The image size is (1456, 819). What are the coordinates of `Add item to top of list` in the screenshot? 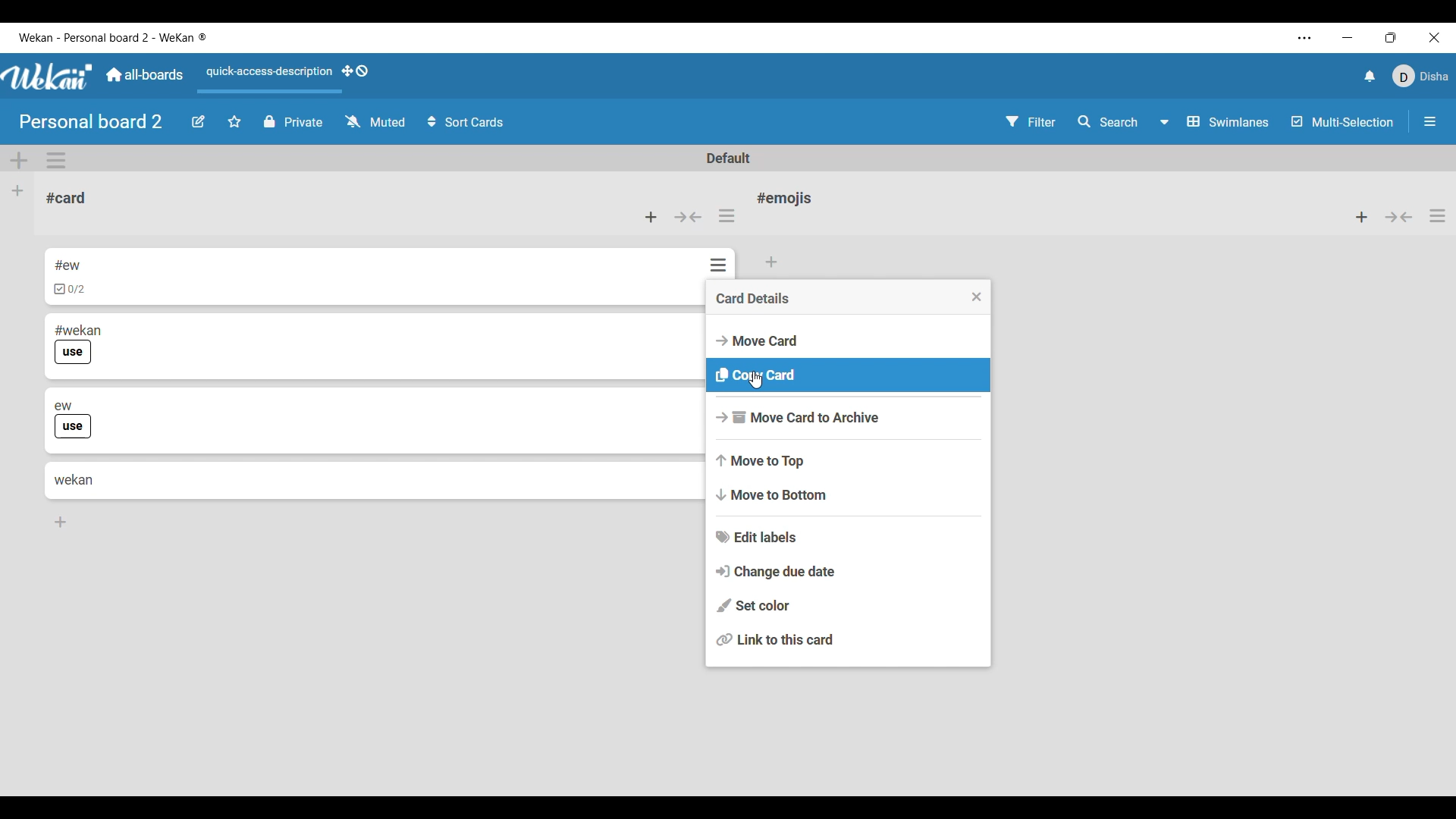 It's located at (1362, 217).